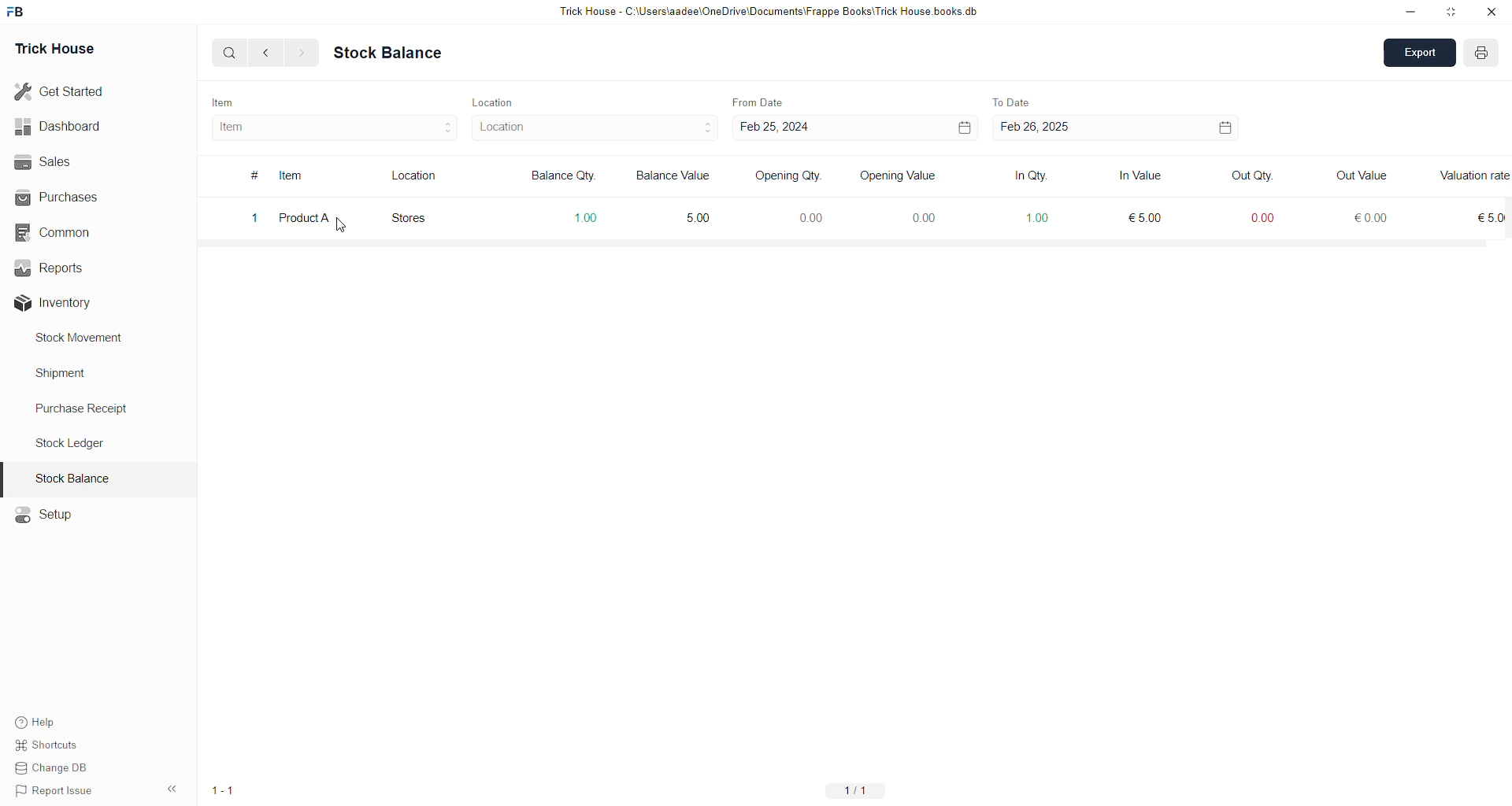 Image resolution: width=1512 pixels, height=806 pixels. I want to click on Trick House, so click(62, 48).